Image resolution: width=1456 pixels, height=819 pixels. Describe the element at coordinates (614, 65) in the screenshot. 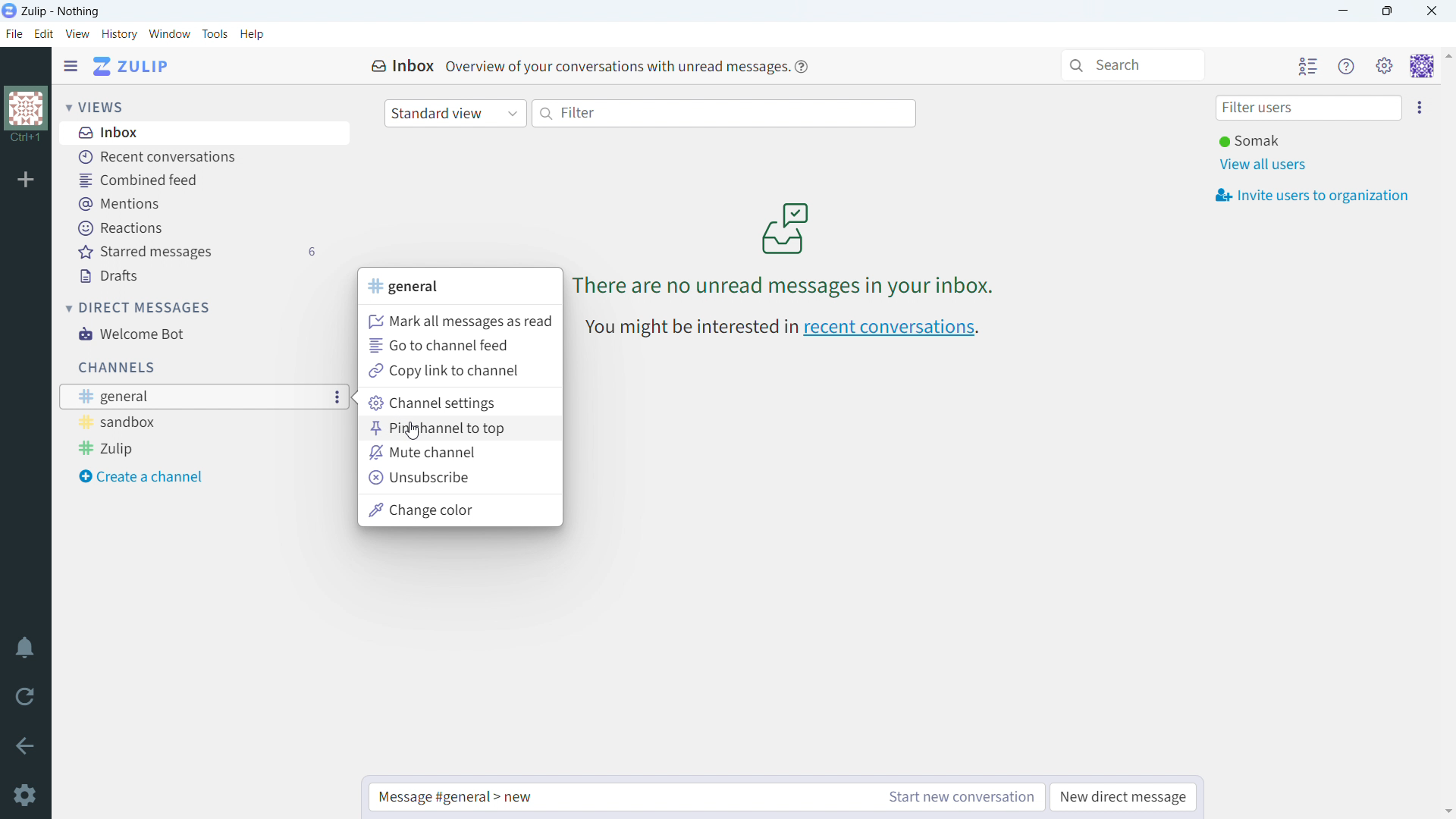

I see `text` at that location.